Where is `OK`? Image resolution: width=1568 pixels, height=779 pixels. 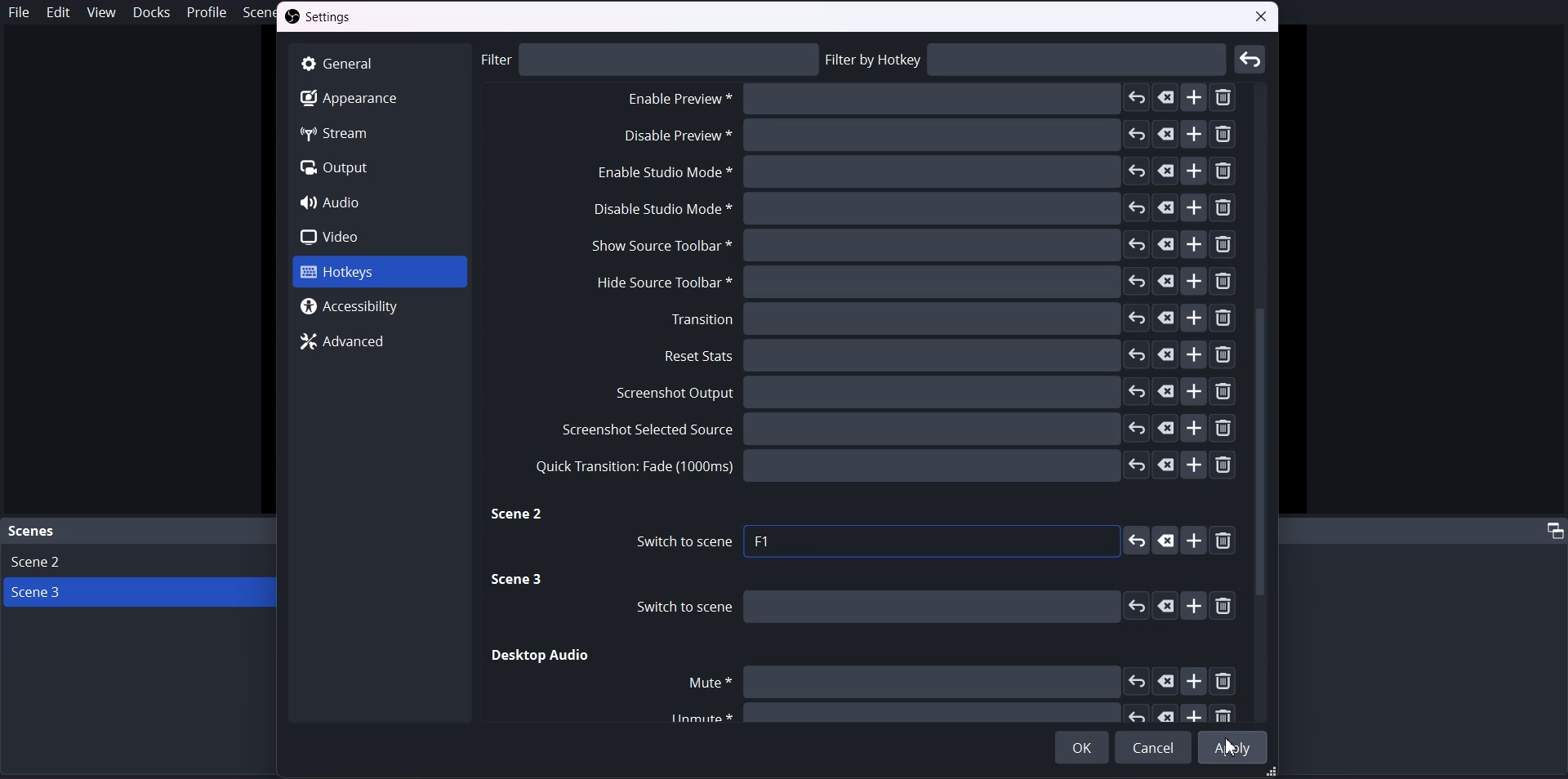 OK is located at coordinates (1082, 747).